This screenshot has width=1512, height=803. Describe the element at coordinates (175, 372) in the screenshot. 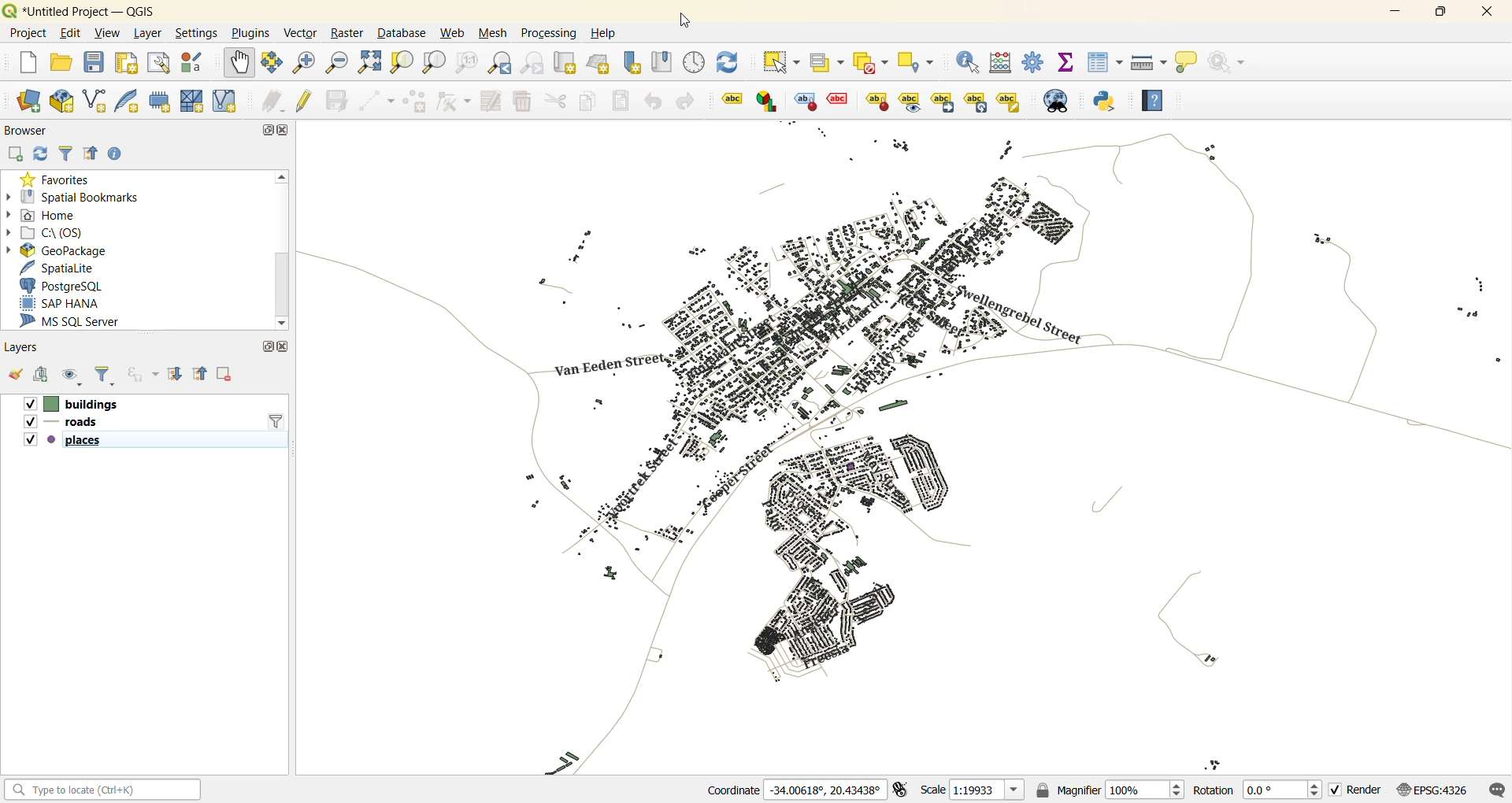

I see `expand all` at that location.